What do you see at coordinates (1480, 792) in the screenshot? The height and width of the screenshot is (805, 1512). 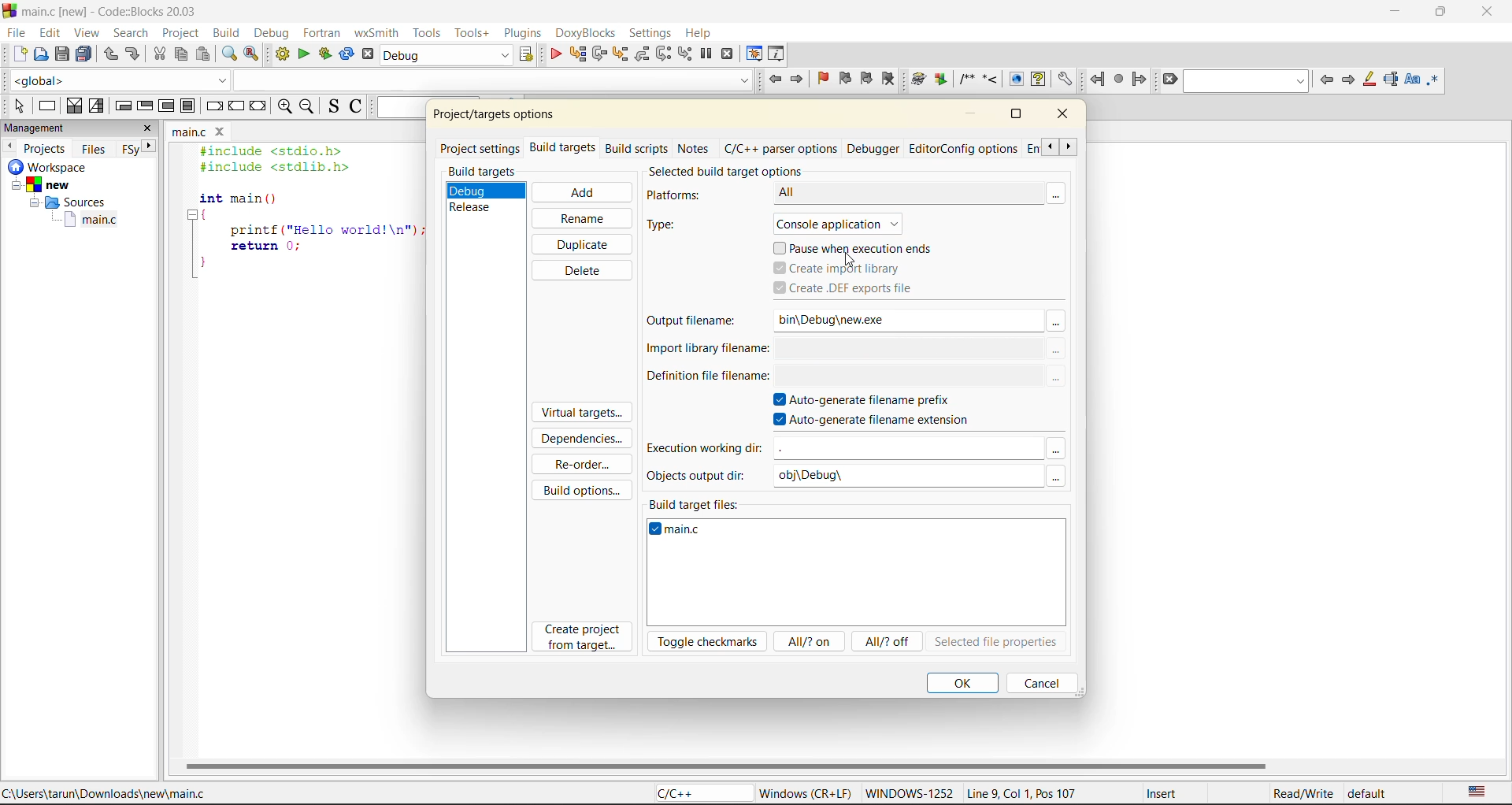 I see `text language` at bounding box center [1480, 792].